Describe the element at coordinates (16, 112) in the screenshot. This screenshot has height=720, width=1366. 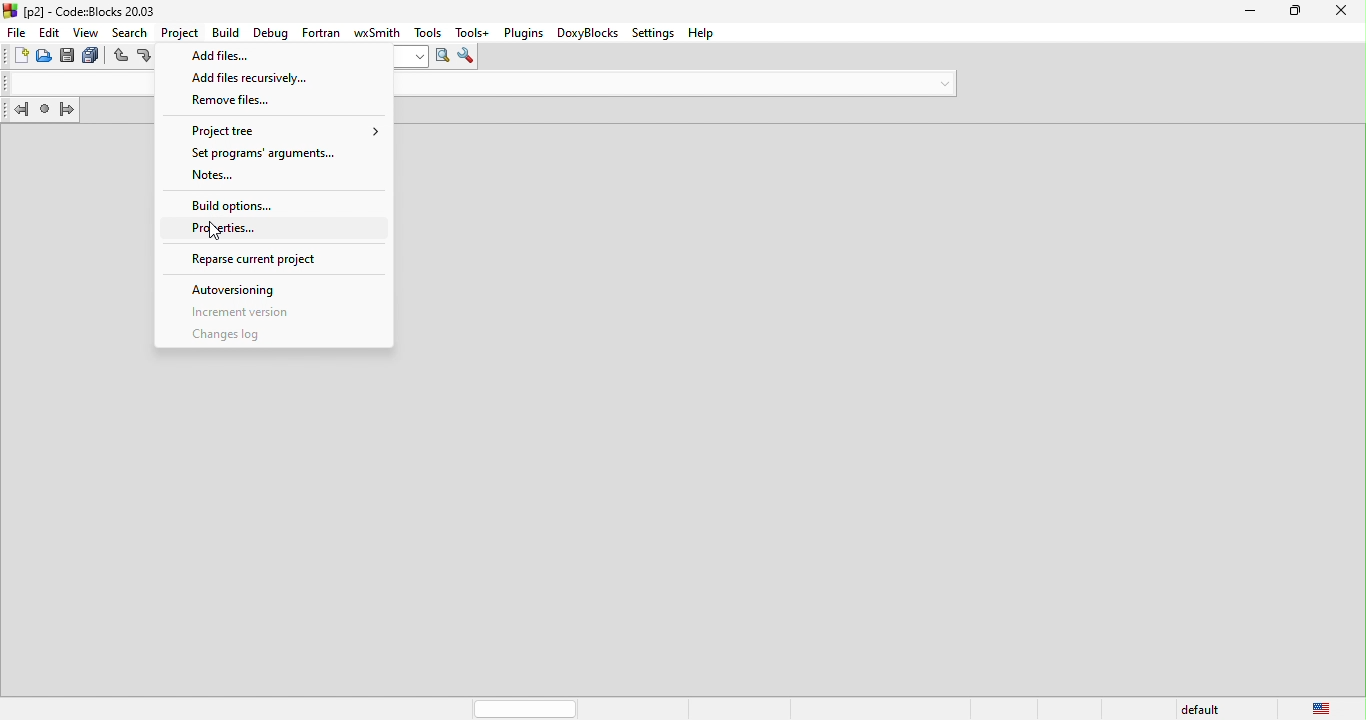
I see `jump back` at that location.